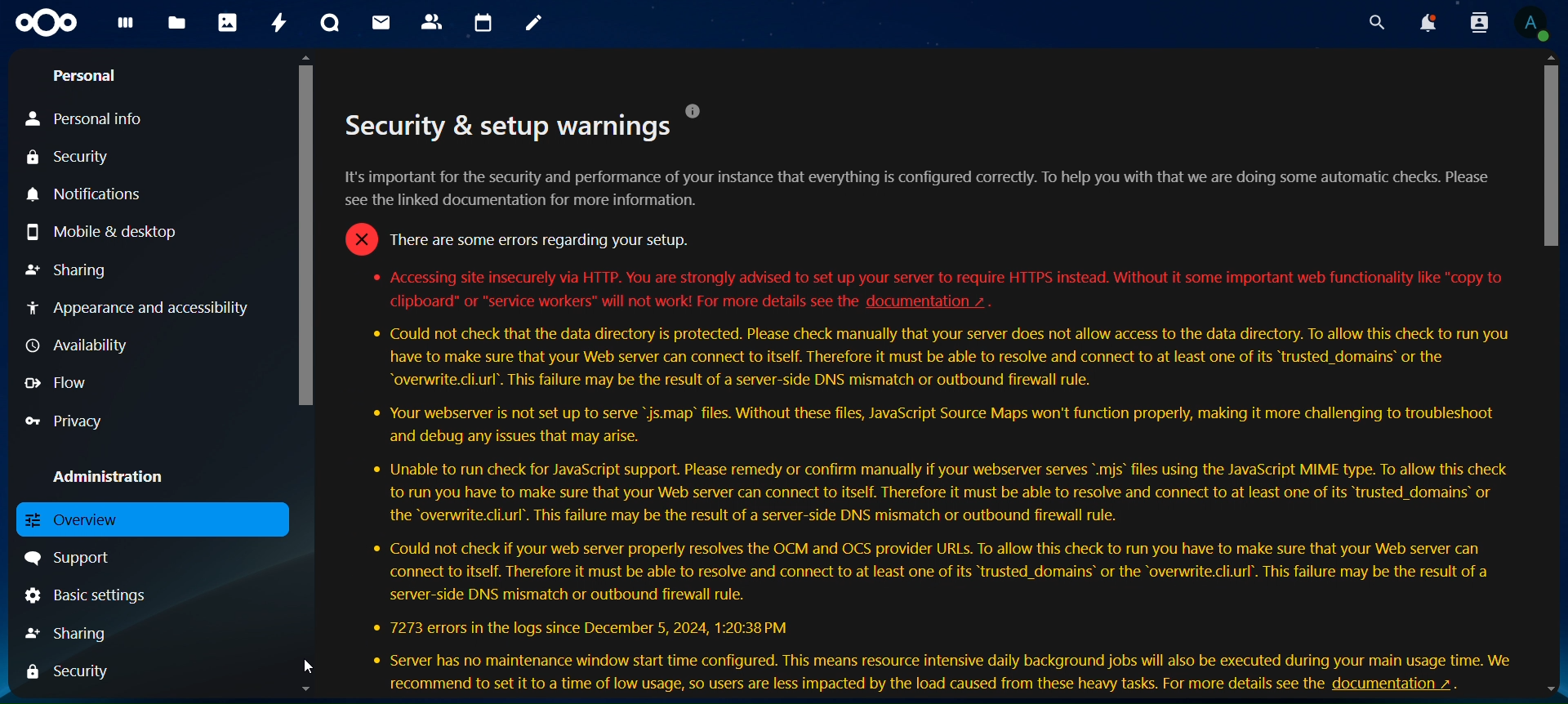 Image resolution: width=1568 pixels, height=704 pixels. Describe the element at coordinates (332, 23) in the screenshot. I see `talk` at that location.